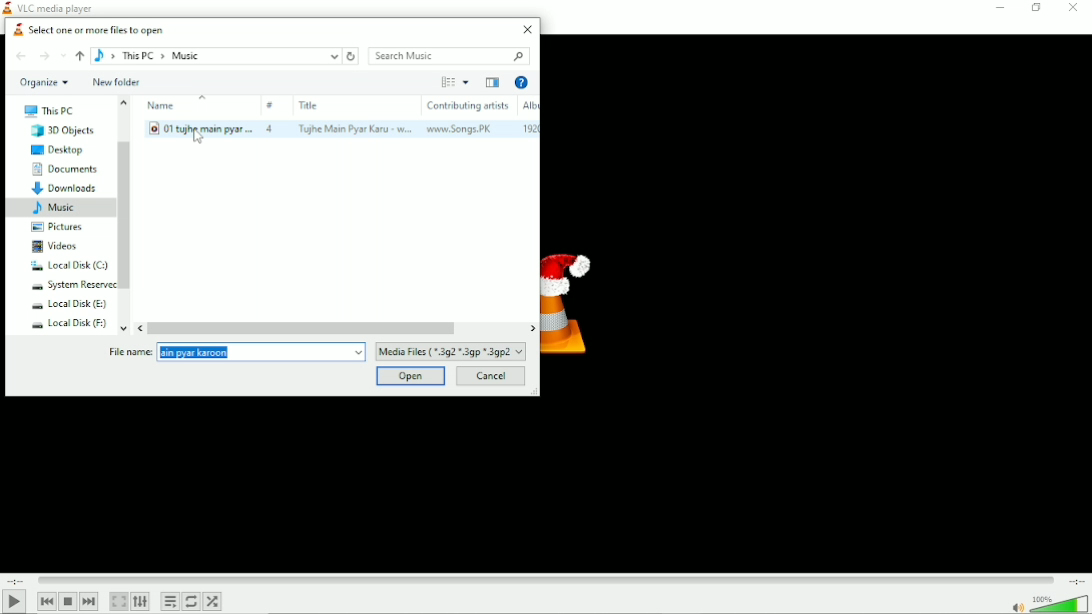 Image resolution: width=1092 pixels, height=614 pixels. What do you see at coordinates (520, 83) in the screenshot?
I see `Help` at bounding box center [520, 83].